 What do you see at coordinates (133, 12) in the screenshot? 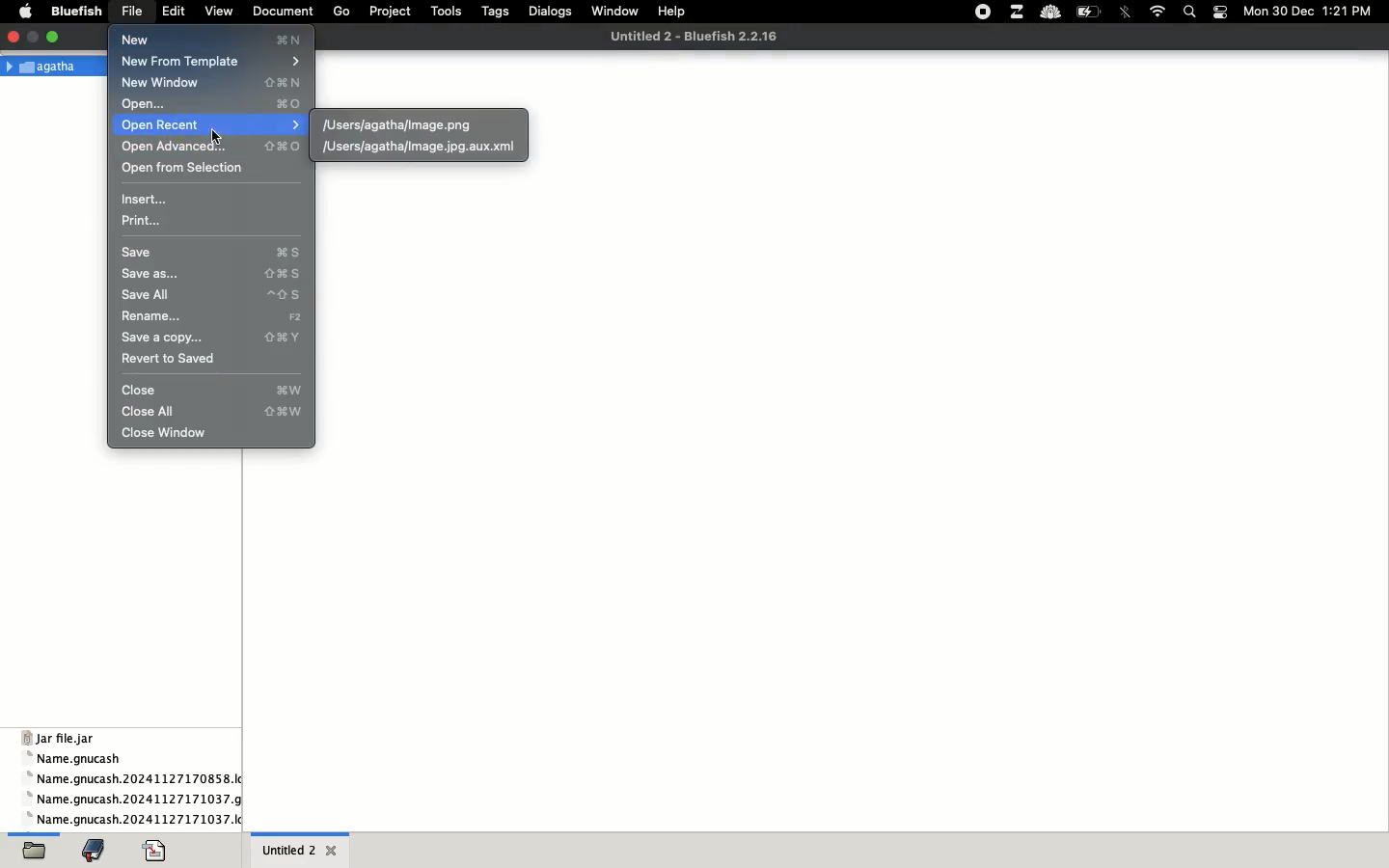
I see `file` at bounding box center [133, 12].